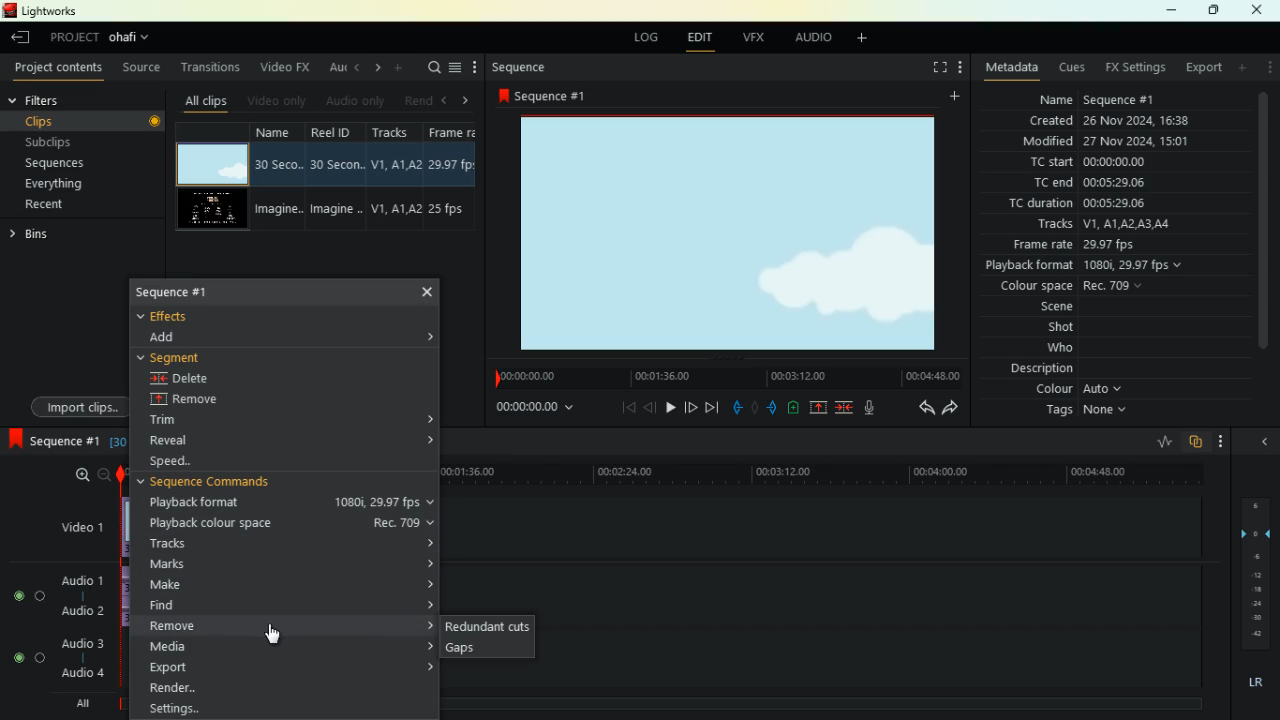  What do you see at coordinates (734, 233) in the screenshot?
I see `image` at bounding box center [734, 233].